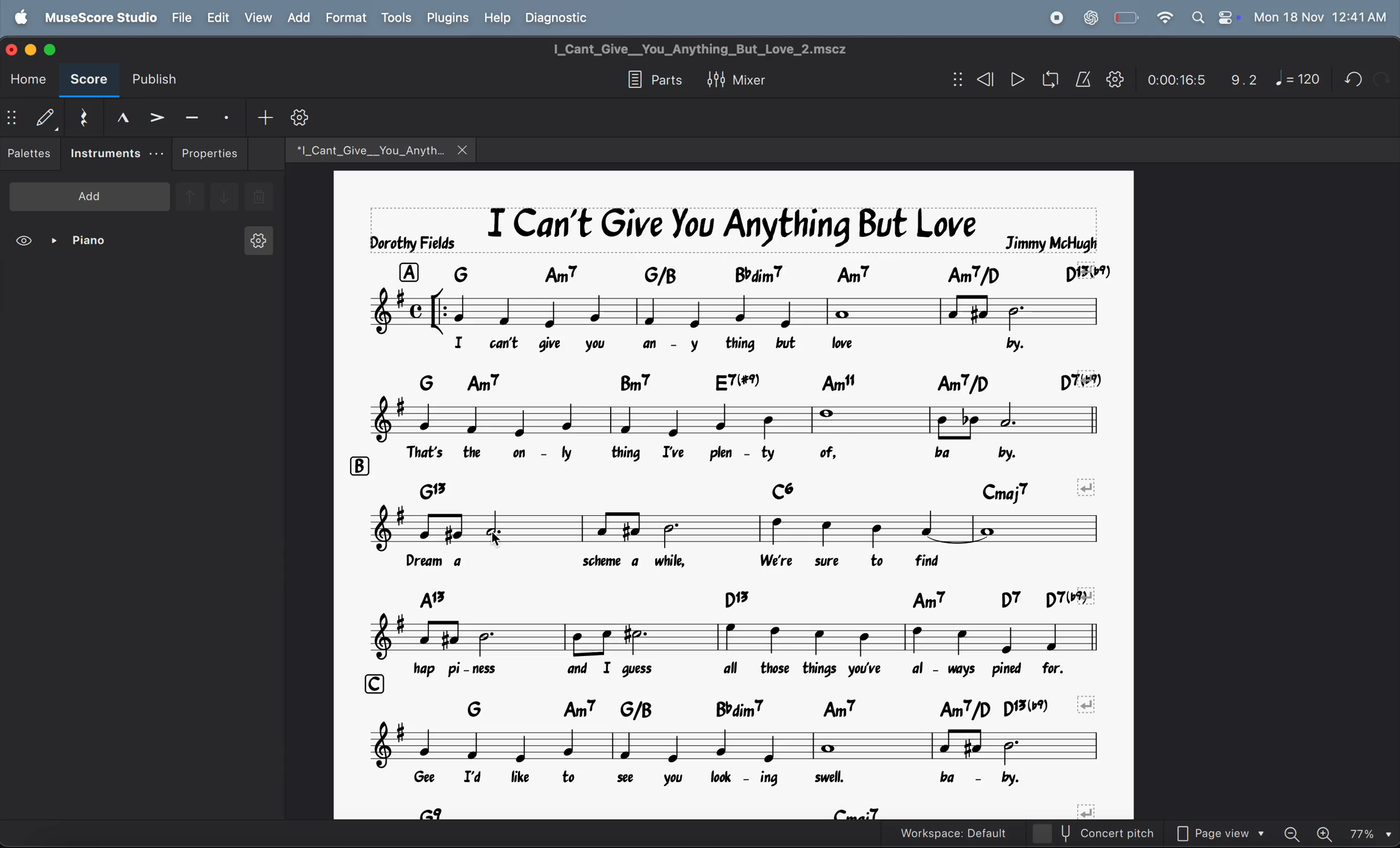 This screenshot has width=1400, height=848. What do you see at coordinates (1328, 833) in the screenshot?
I see `zoom in` at bounding box center [1328, 833].